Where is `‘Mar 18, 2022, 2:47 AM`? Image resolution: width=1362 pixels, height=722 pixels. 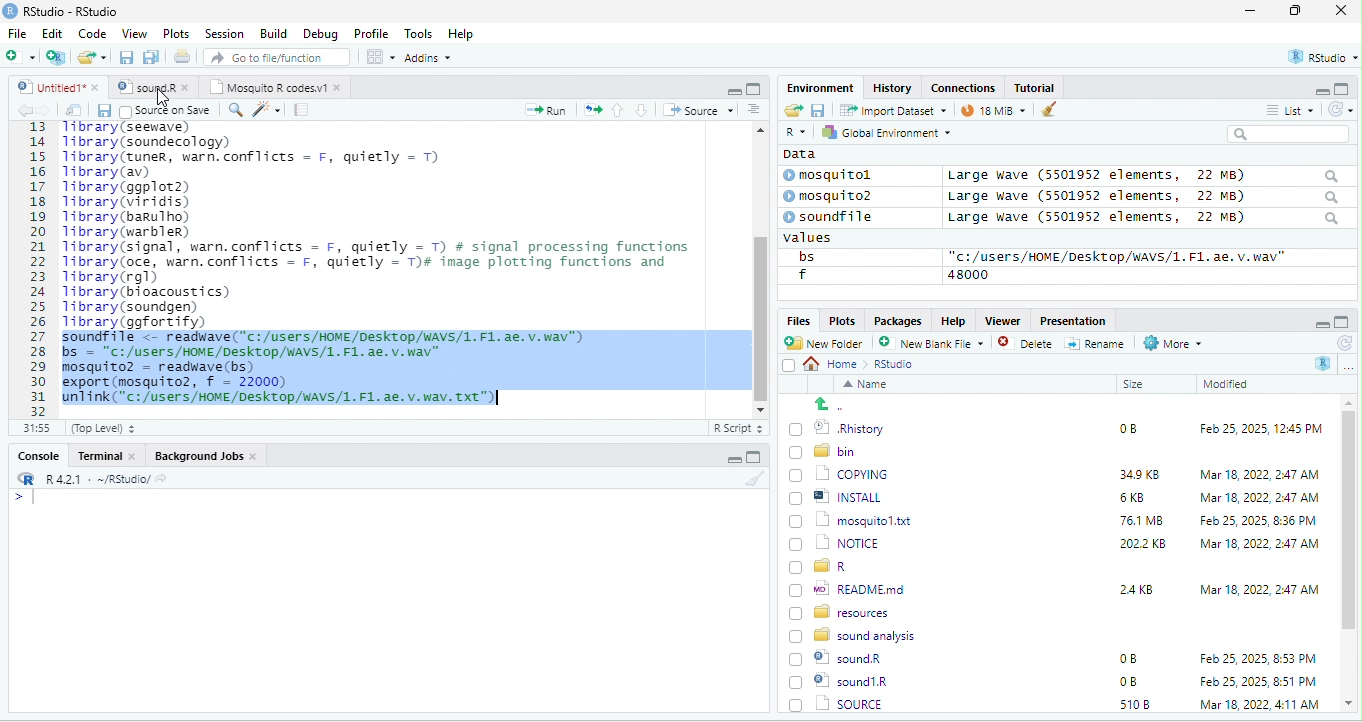
‘Mar 18, 2022, 2:47 AM is located at coordinates (1258, 544).